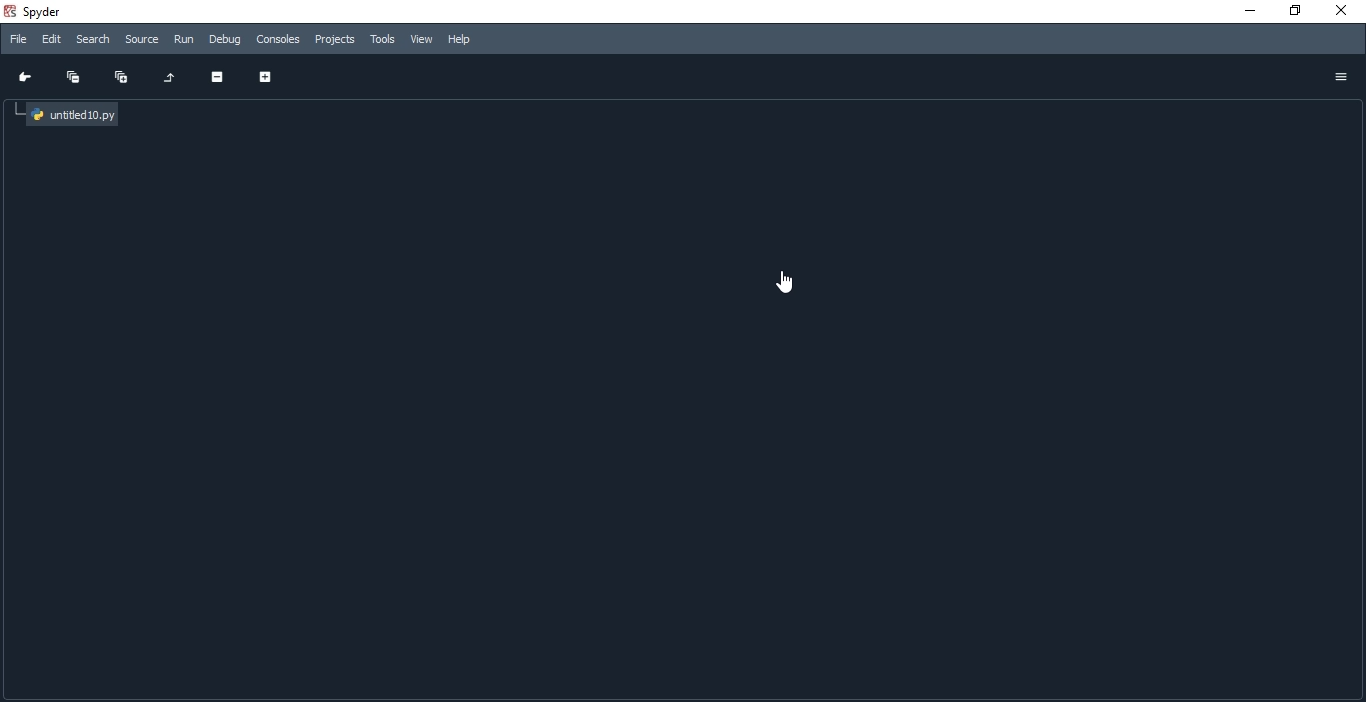 Image resolution: width=1366 pixels, height=702 pixels. What do you see at coordinates (168, 78) in the screenshot?
I see `Restore original tree layout` at bounding box center [168, 78].